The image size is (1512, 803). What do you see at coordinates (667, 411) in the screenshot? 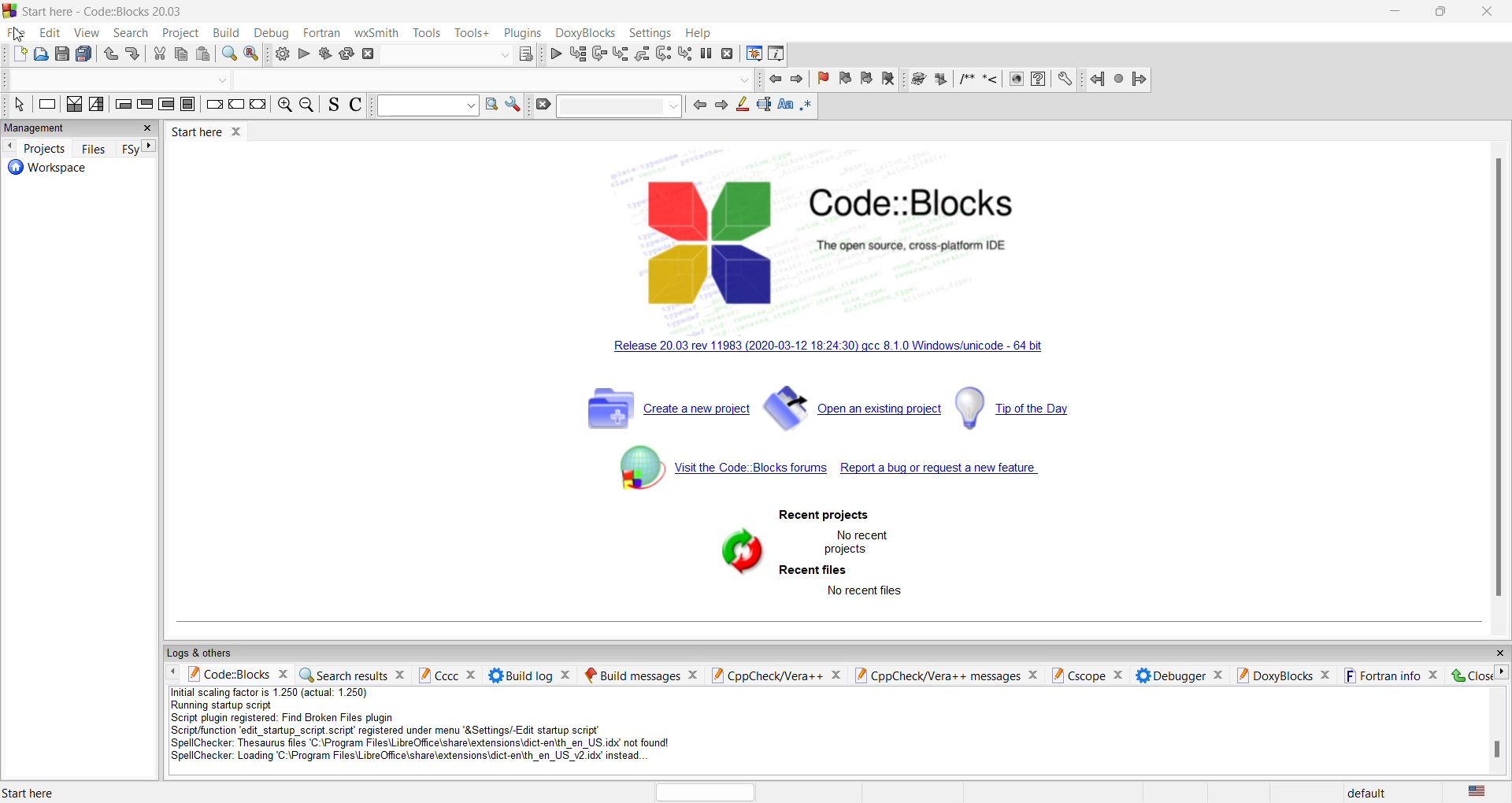
I see `create new project` at bounding box center [667, 411].